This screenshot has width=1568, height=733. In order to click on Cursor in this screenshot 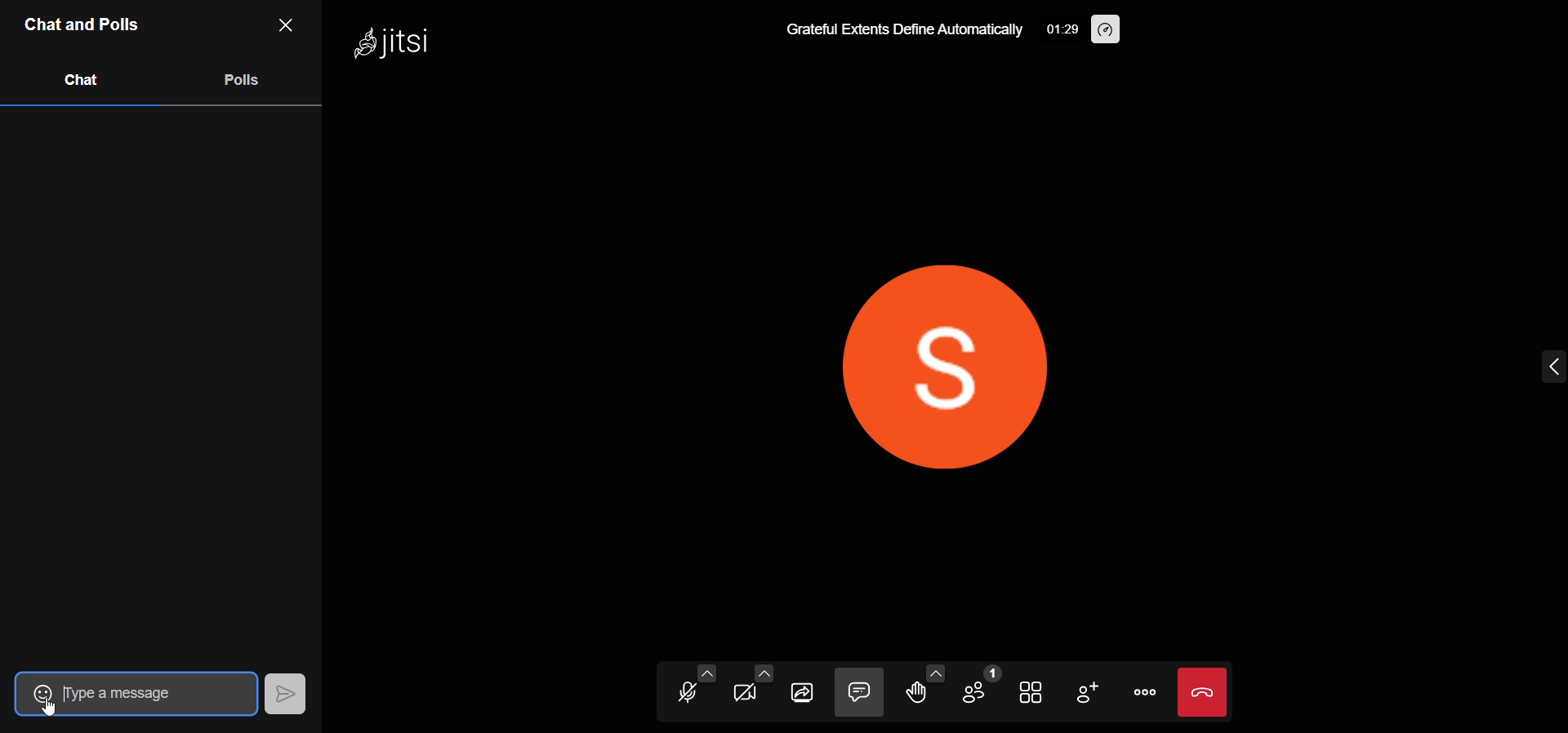, I will do `click(47, 706)`.